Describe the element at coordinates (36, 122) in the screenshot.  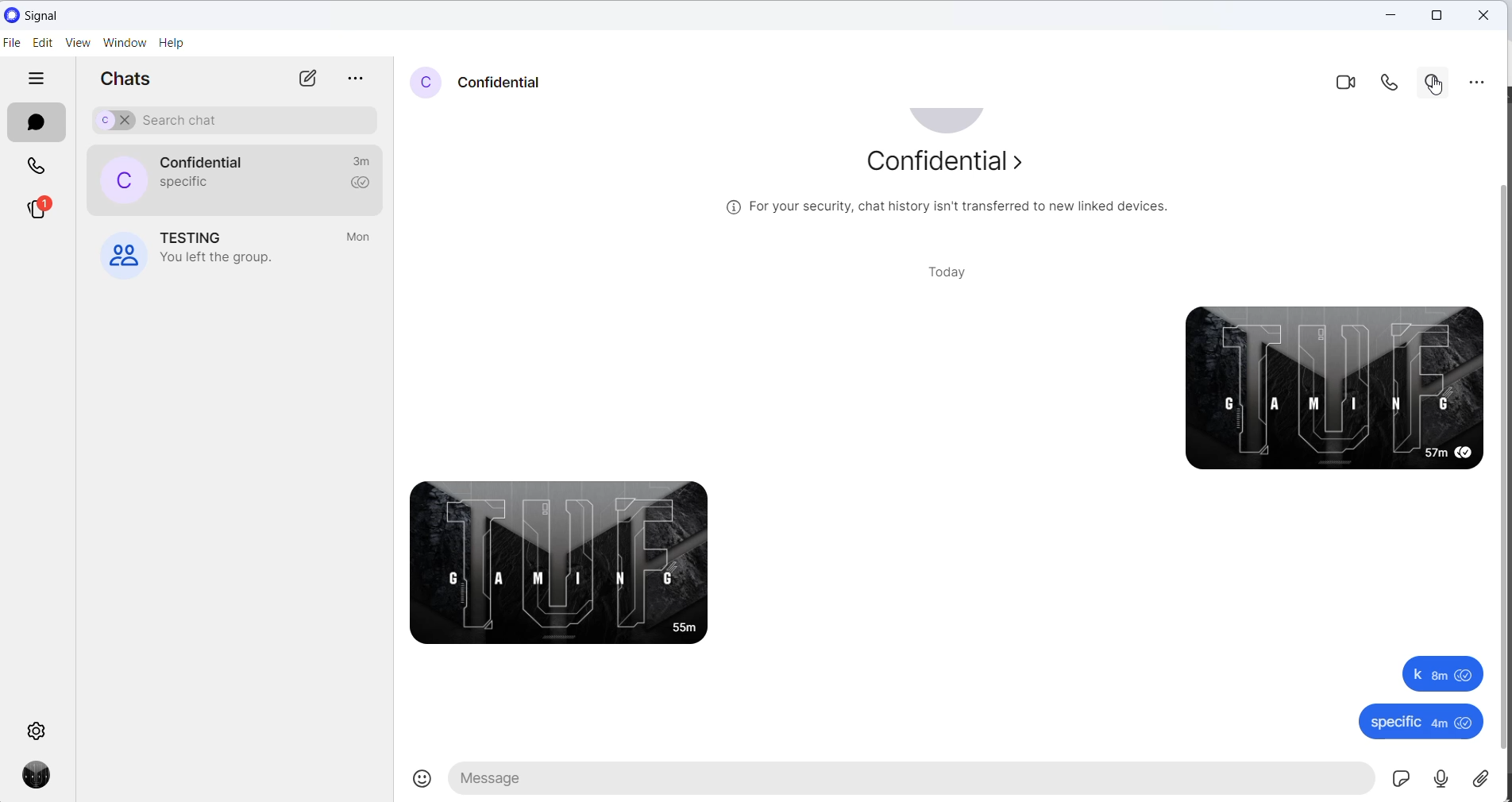
I see `chats` at that location.